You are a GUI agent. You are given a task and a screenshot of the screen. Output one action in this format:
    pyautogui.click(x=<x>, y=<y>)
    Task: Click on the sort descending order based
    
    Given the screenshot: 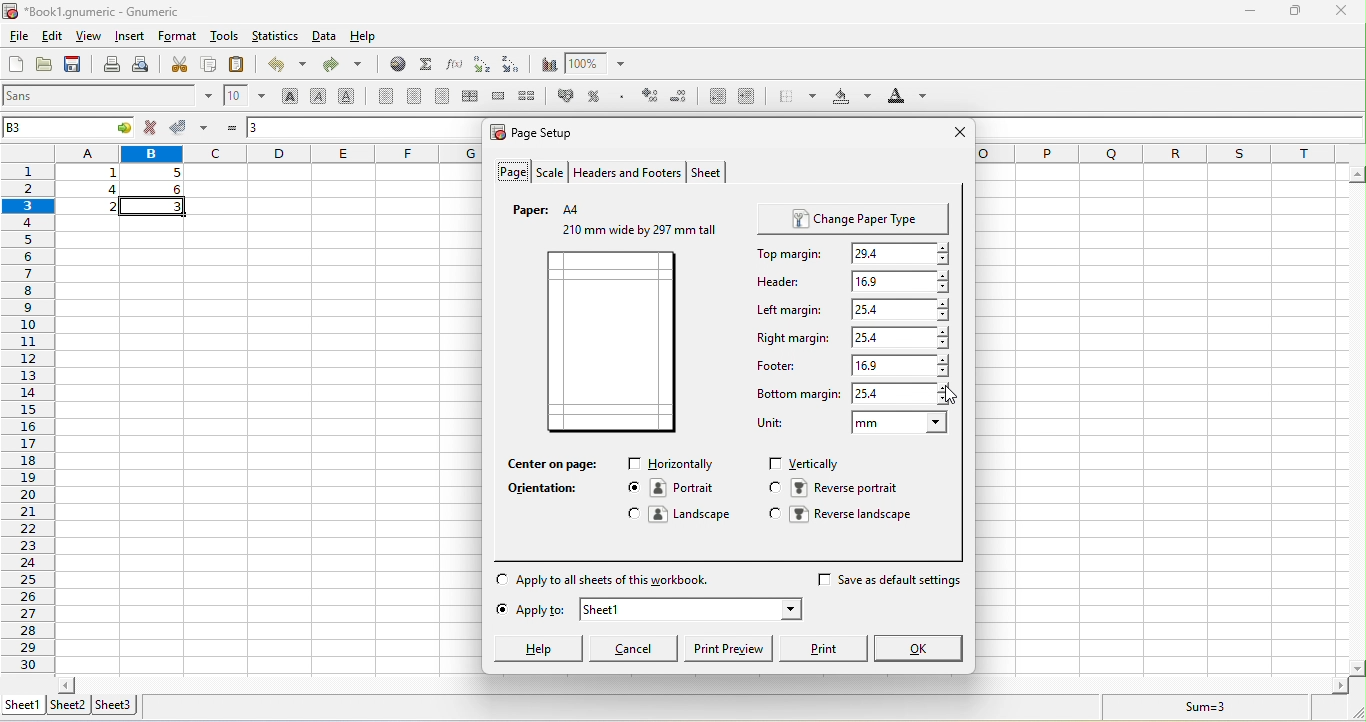 What is the action you would take?
    pyautogui.click(x=514, y=65)
    